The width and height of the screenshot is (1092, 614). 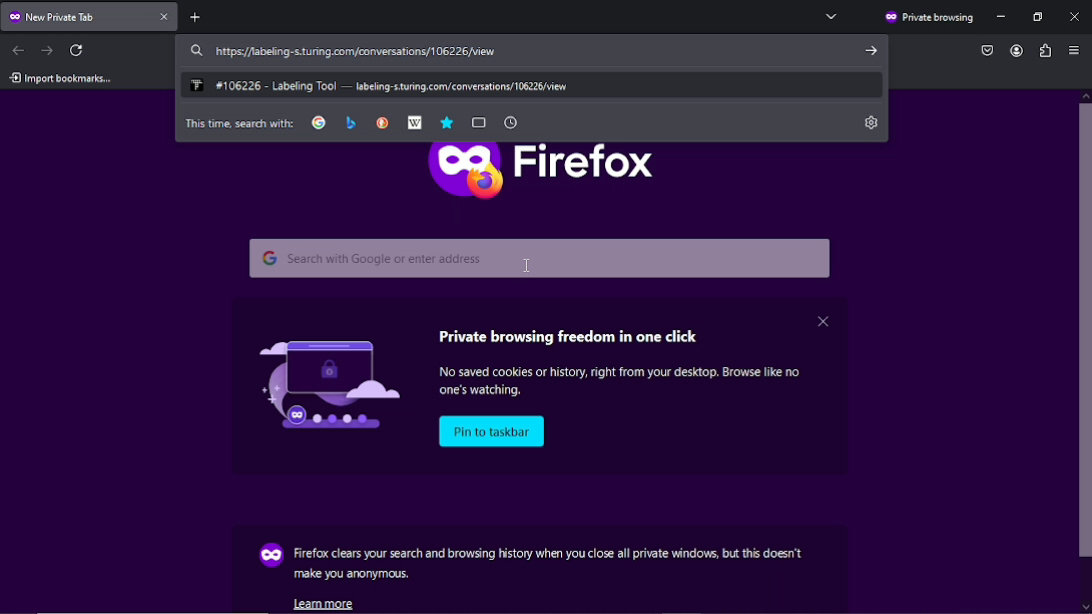 What do you see at coordinates (341, 52) in the screenshot?
I see `https://labeling-s.turing.com/conversations/106226/view` at bounding box center [341, 52].